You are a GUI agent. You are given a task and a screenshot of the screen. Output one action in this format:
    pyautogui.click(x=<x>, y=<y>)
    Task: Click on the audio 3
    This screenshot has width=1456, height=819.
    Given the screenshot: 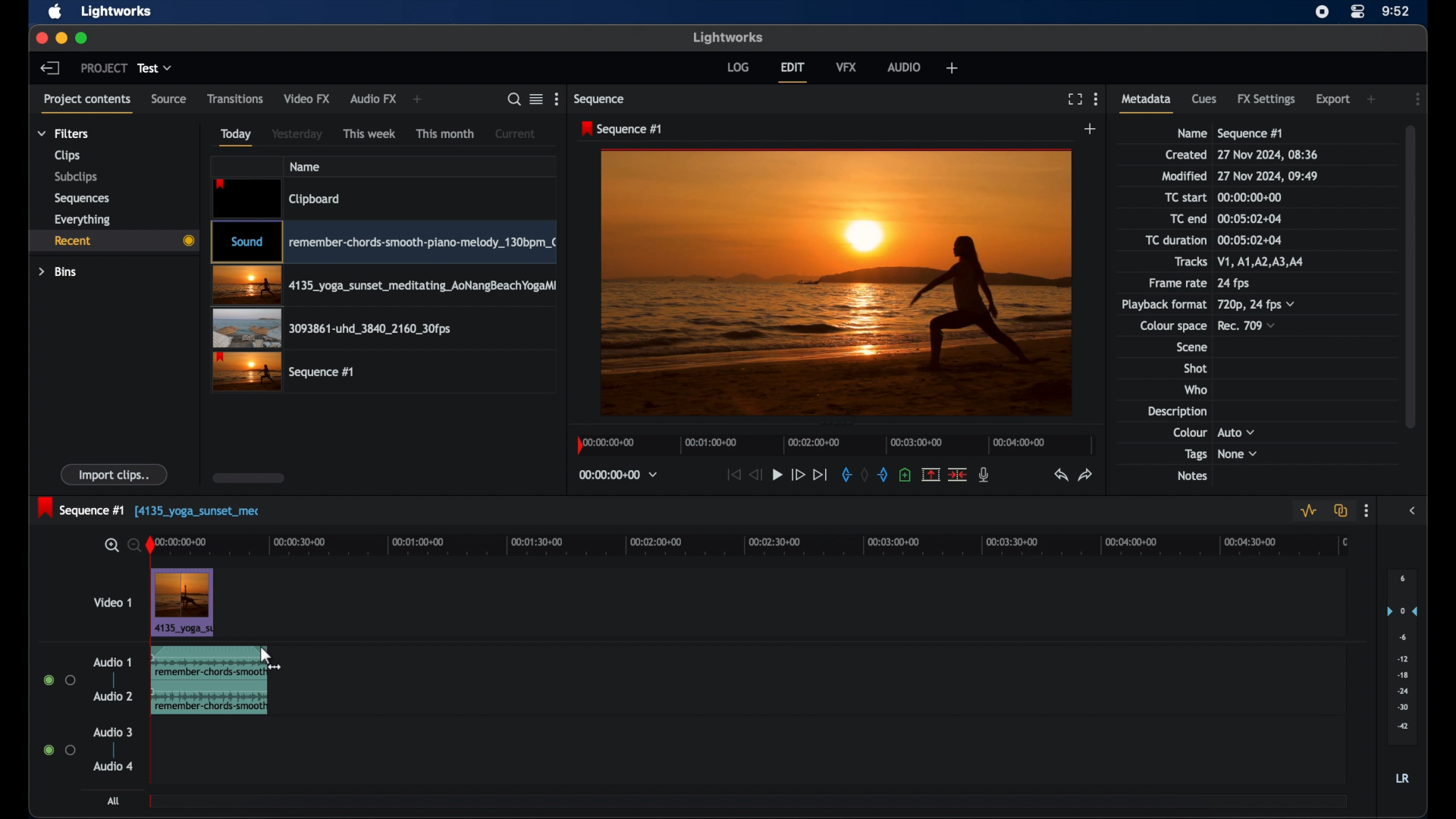 What is the action you would take?
    pyautogui.click(x=113, y=732)
    